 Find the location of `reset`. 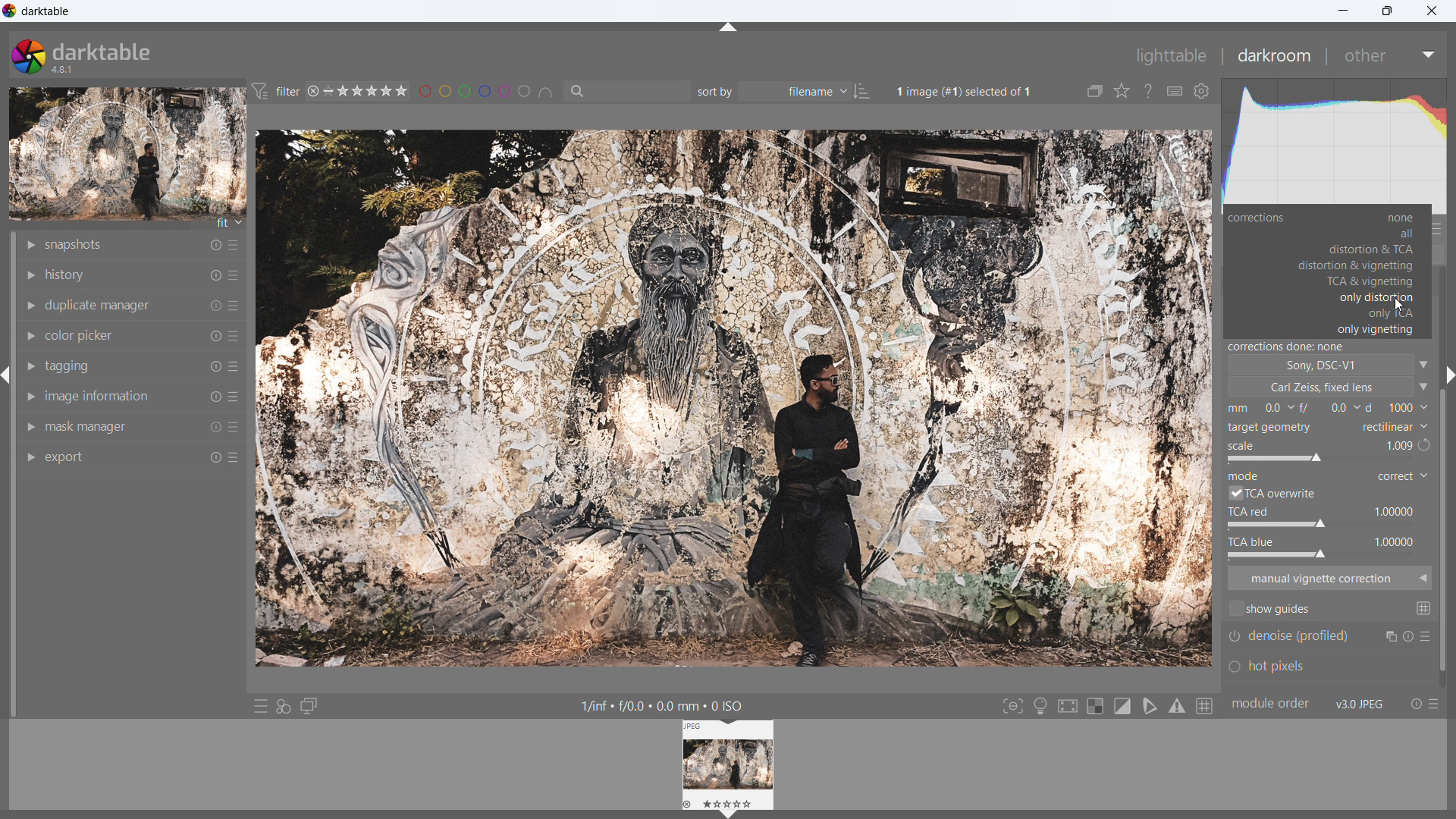

reset is located at coordinates (1416, 705).